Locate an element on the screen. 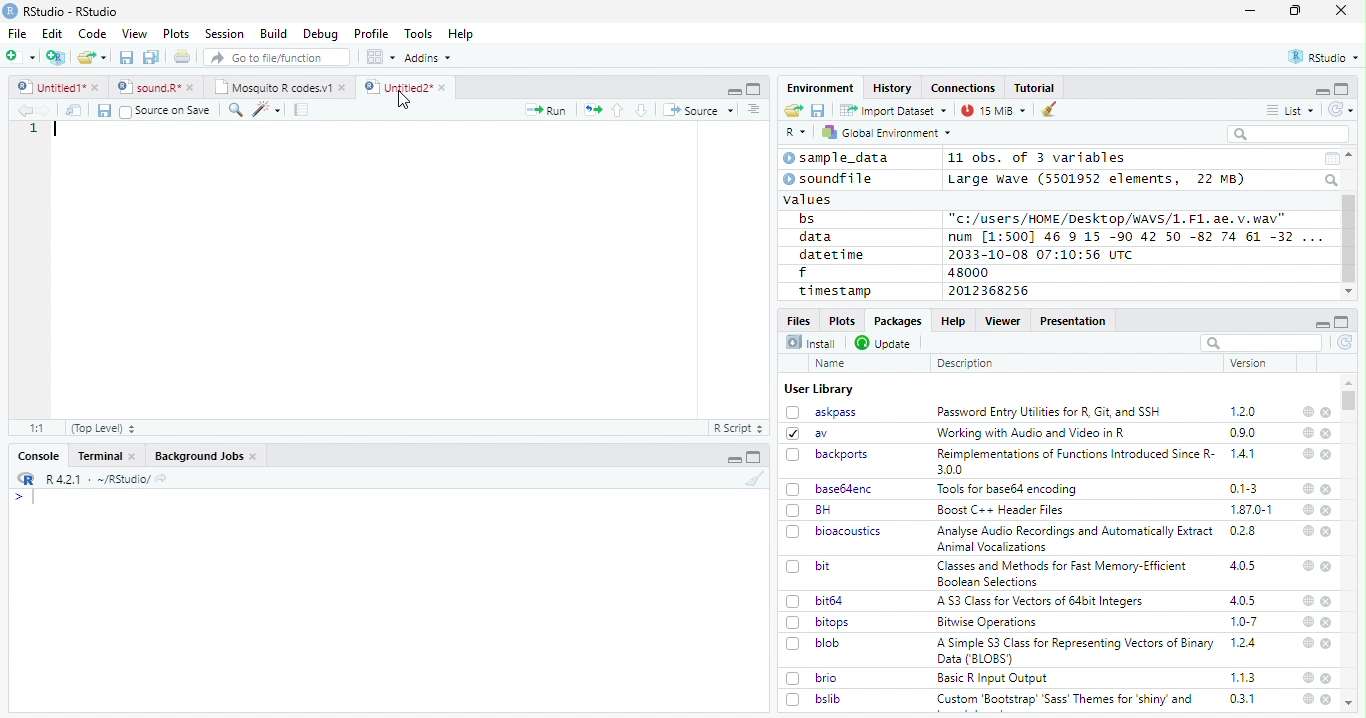 The width and height of the screenshot is (1366, 718). 1.2.0 is located at coordinates (1245, 411).